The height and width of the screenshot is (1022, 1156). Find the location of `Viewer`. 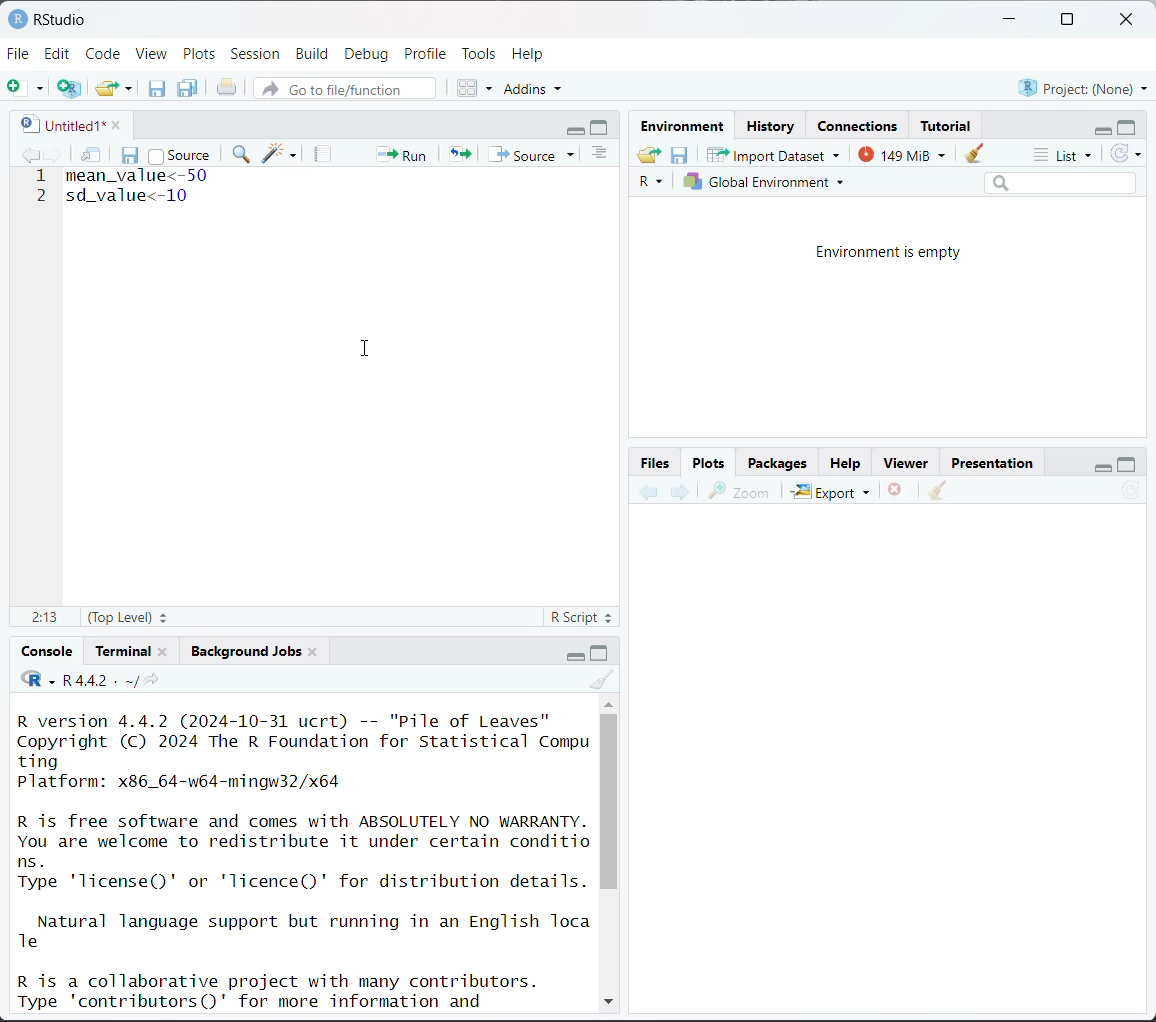

Viewer is located at coordinates (910, 464).